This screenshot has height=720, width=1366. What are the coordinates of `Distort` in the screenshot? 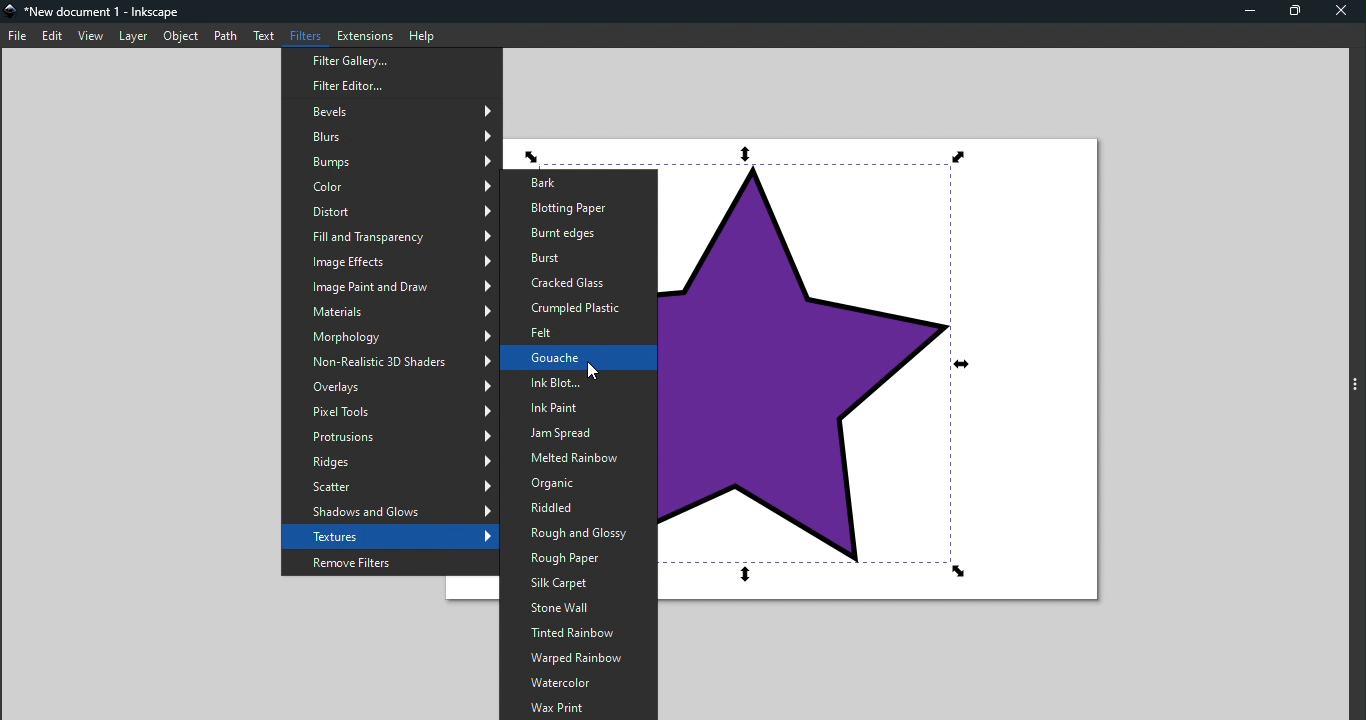 It's located at (389, 210).